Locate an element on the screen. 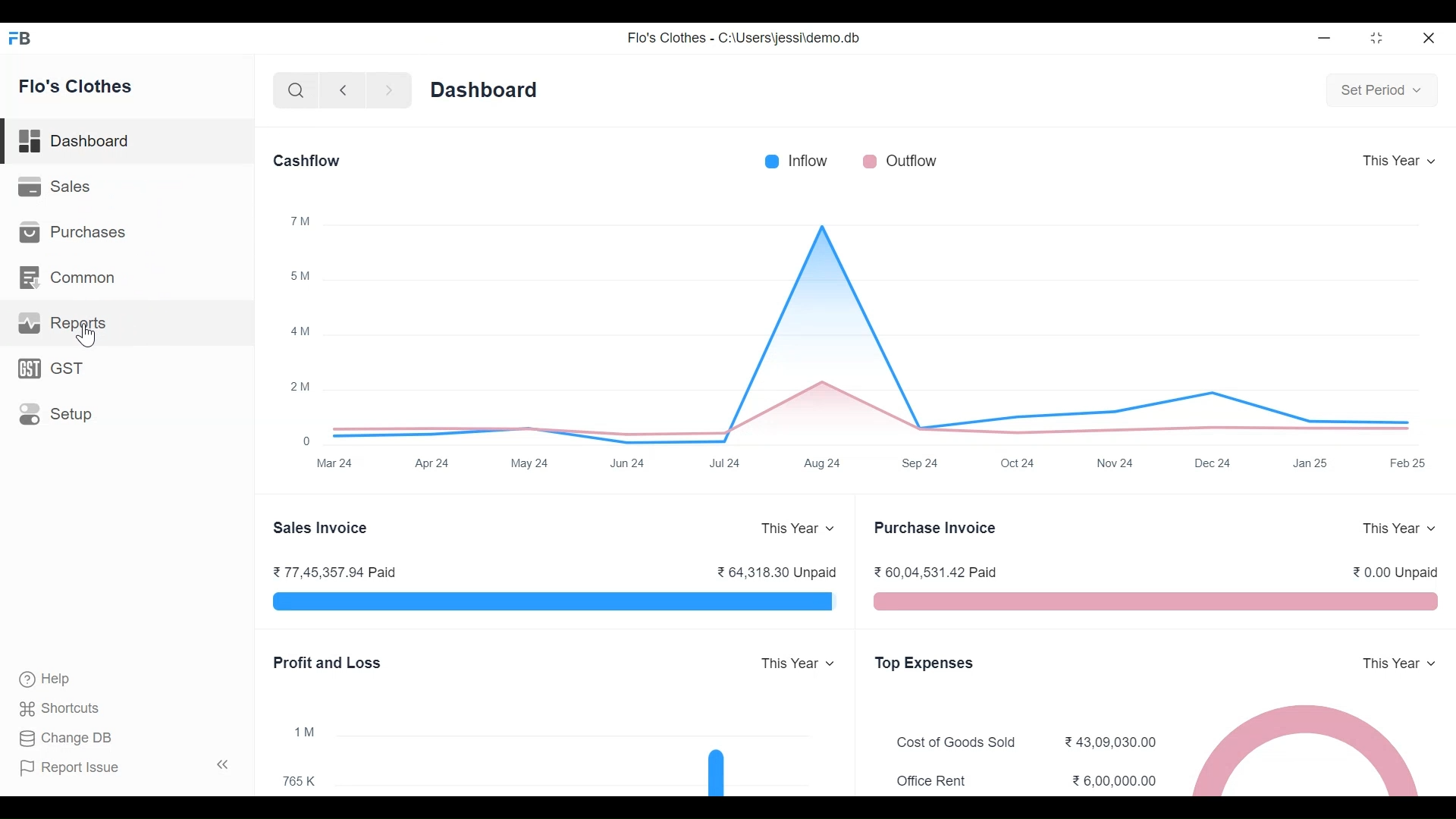 The width and height of the screenshot is (1456, 819). Close is located at coordinates (1427, 37).